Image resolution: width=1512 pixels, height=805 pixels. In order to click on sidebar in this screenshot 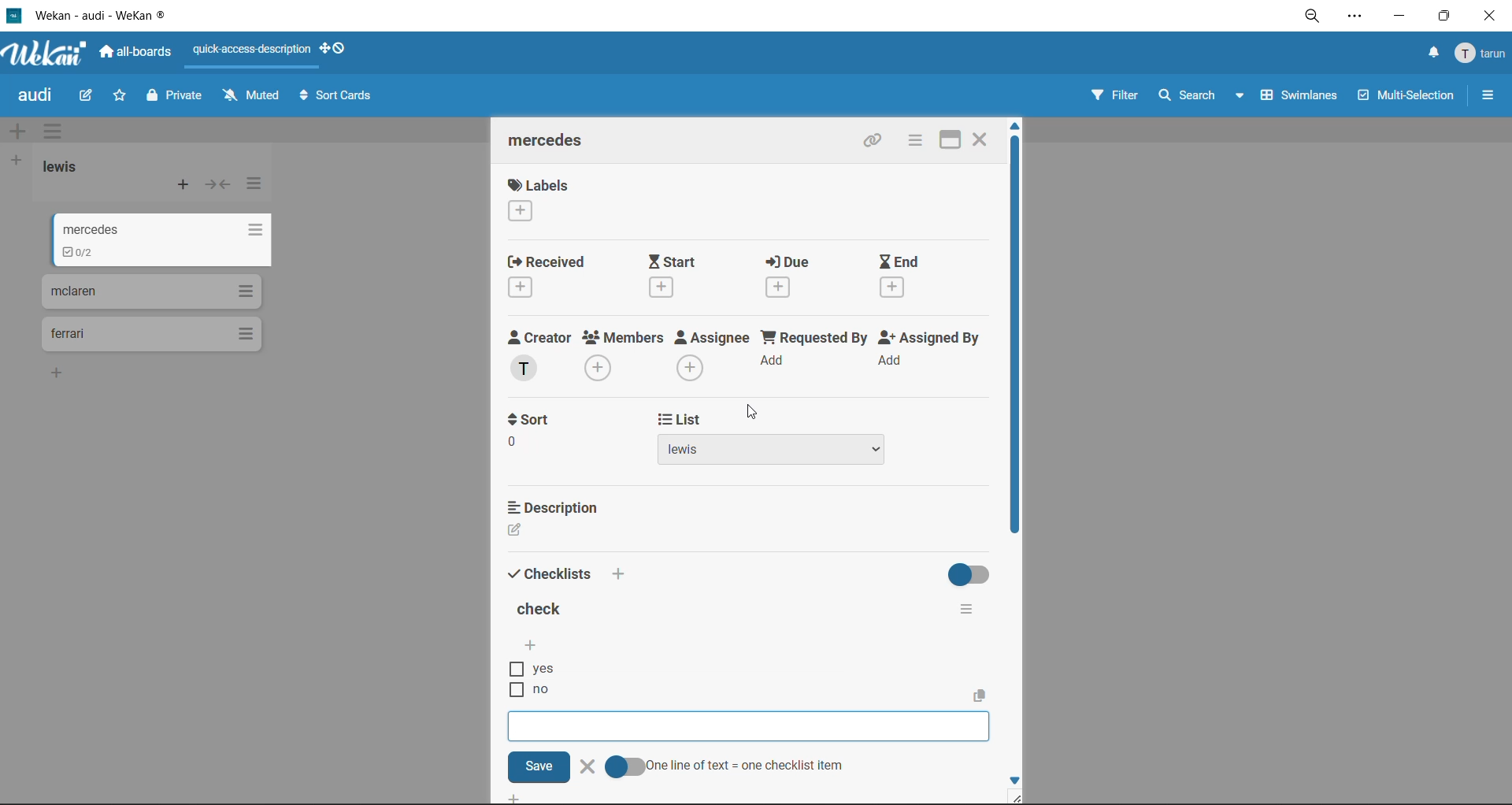, I will do `click(1488, 95)`.